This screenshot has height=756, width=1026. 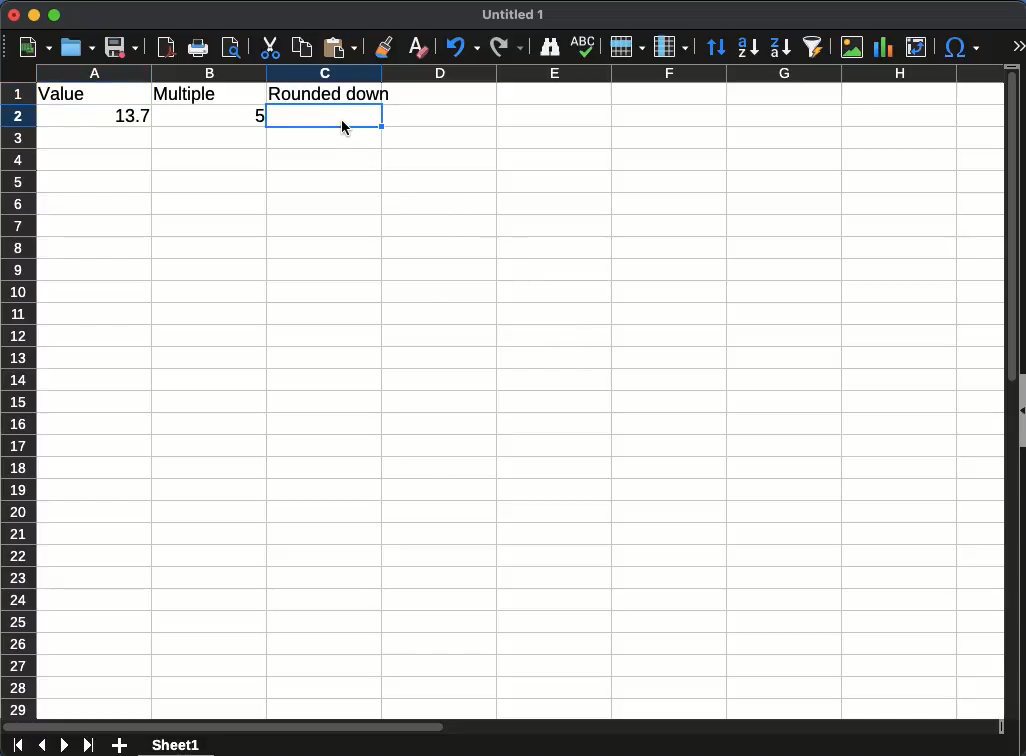 What do you see at coordinates (1020, 410) in the screenshot?
I see `collapse` at bounding box center [1020, 410].